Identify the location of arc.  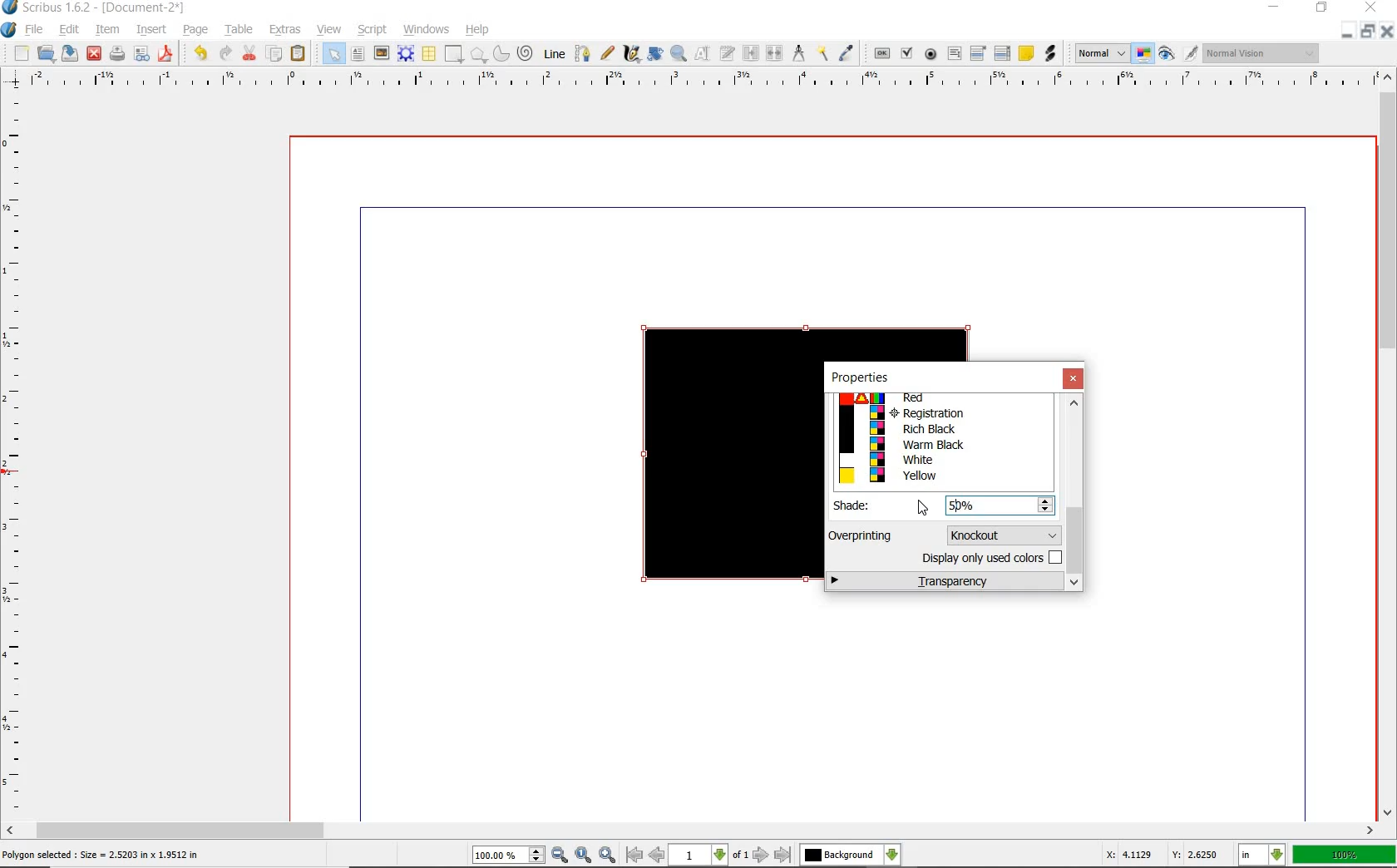
(501, 55).